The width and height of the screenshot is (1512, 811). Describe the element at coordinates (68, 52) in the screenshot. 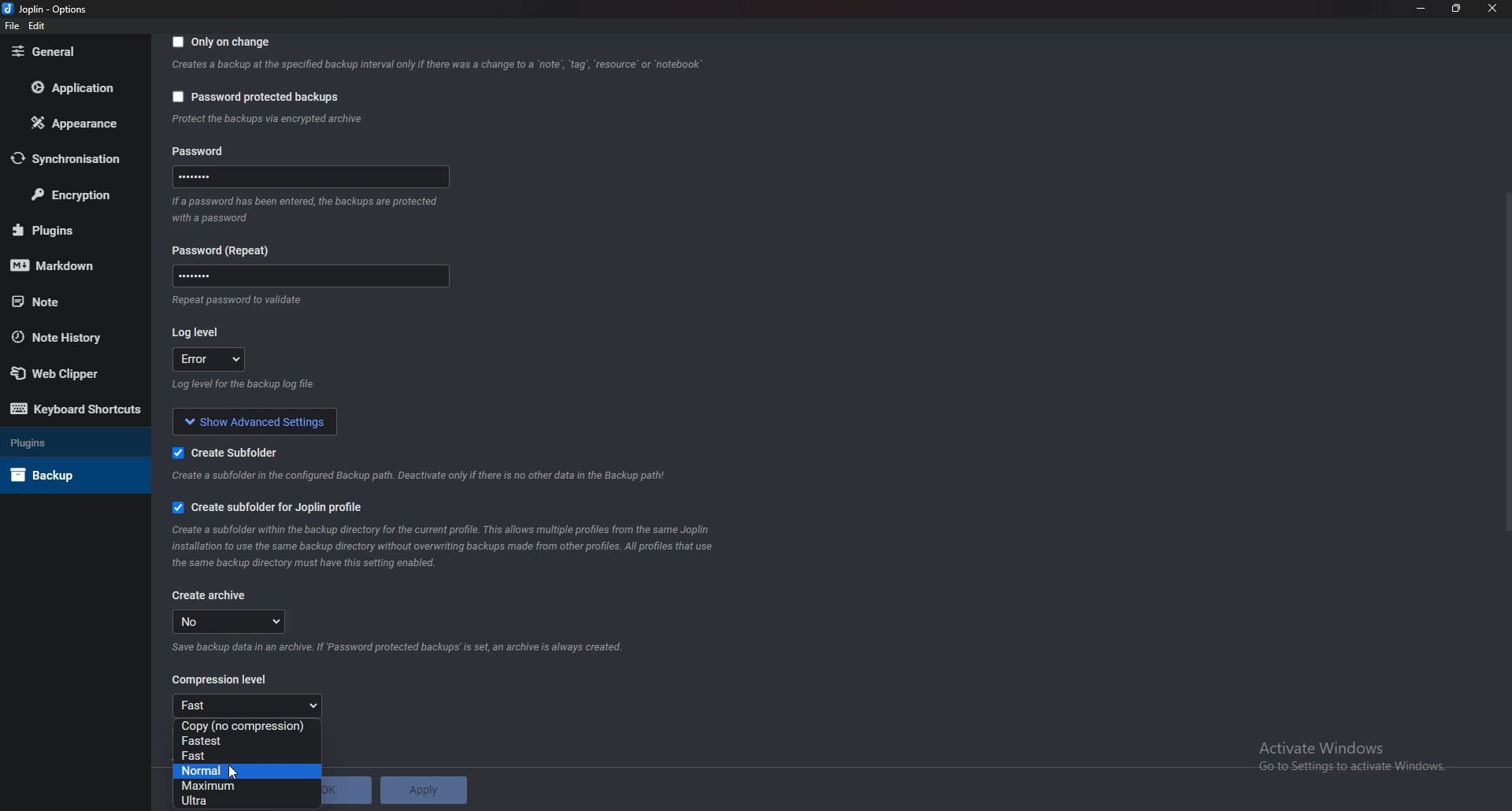

I see `general` at that location.